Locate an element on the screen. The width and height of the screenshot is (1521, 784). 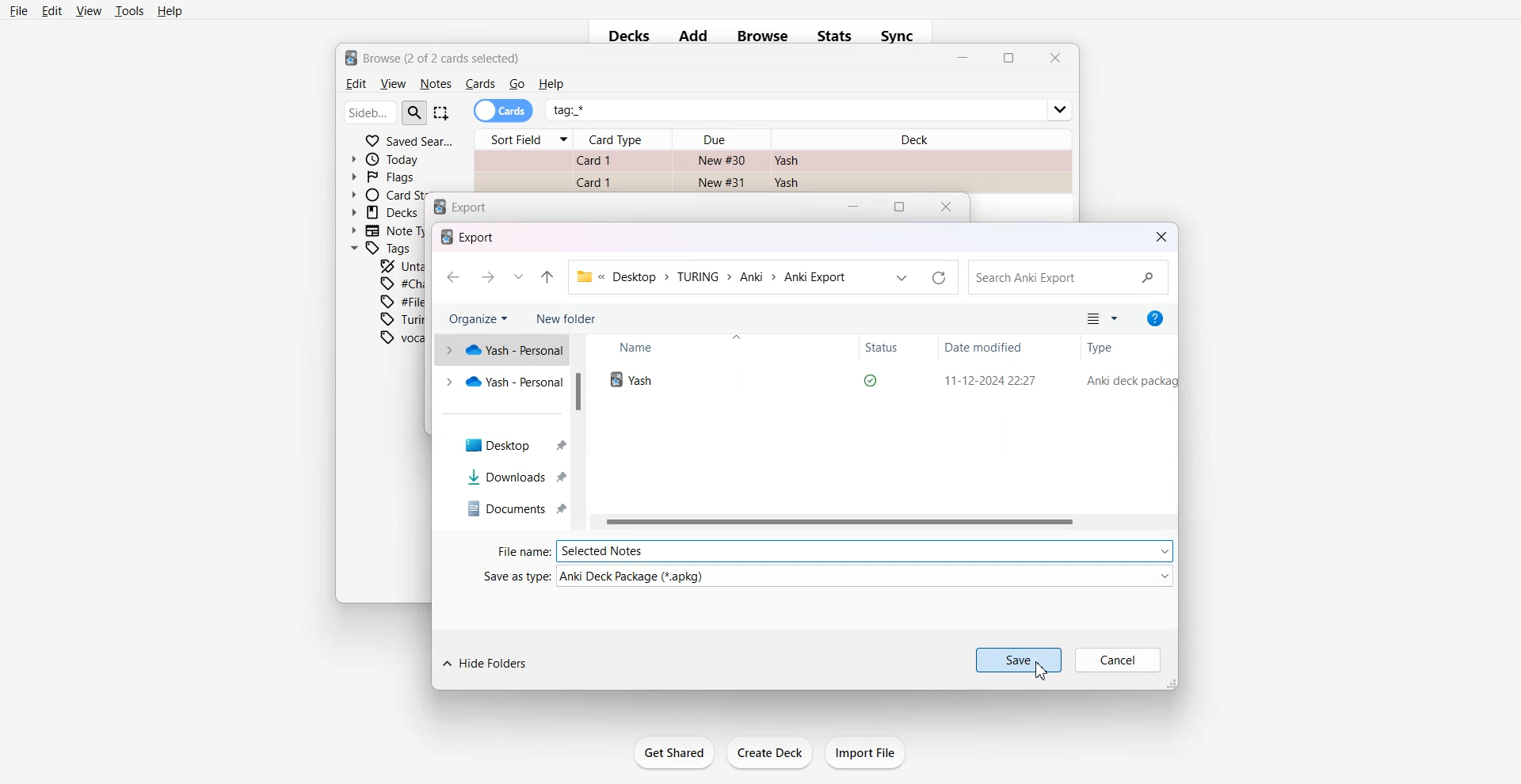
Saved Search is located at coordinates (409, 139).